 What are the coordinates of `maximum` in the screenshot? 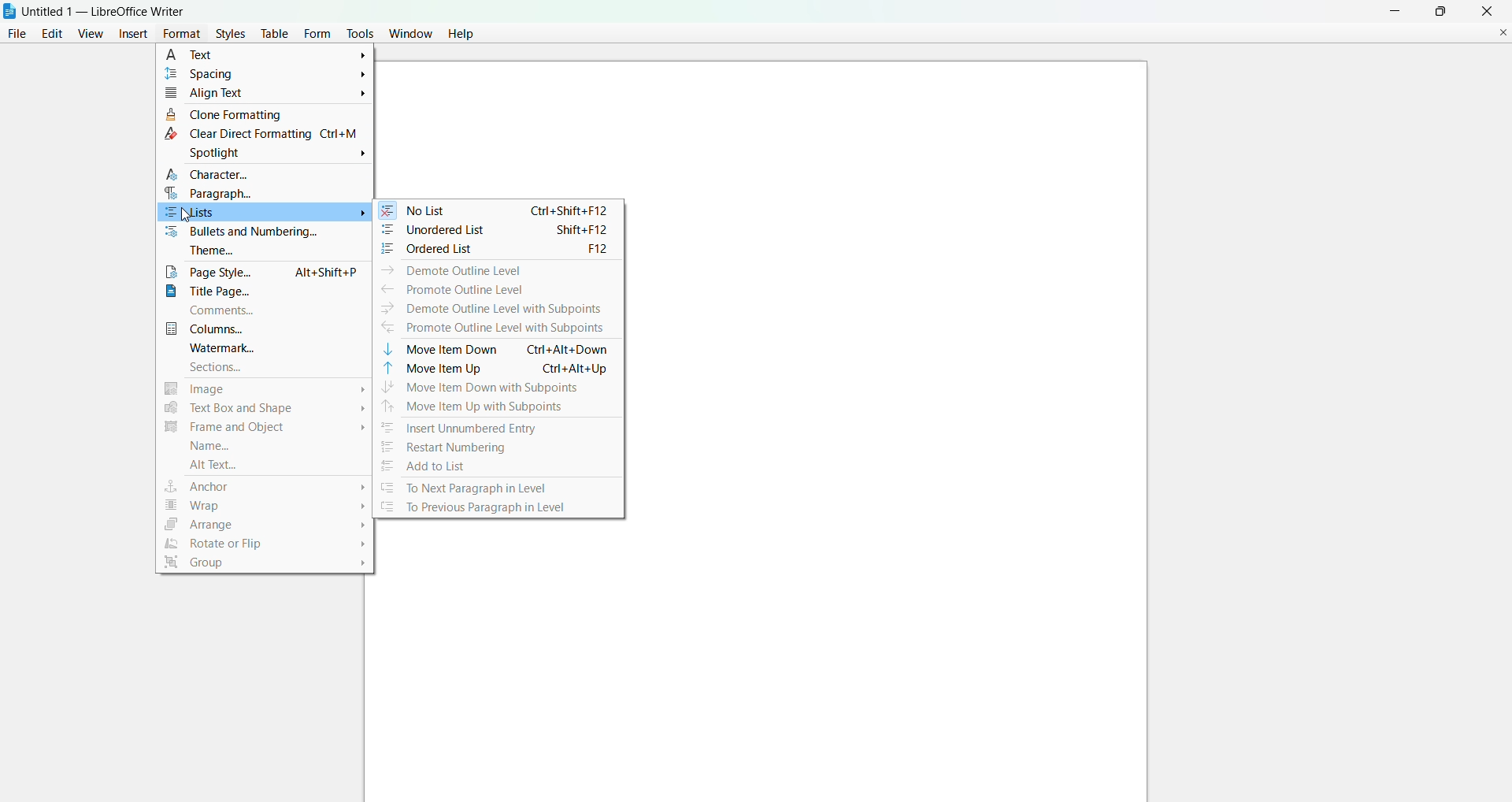 It's located at (1441, 10).